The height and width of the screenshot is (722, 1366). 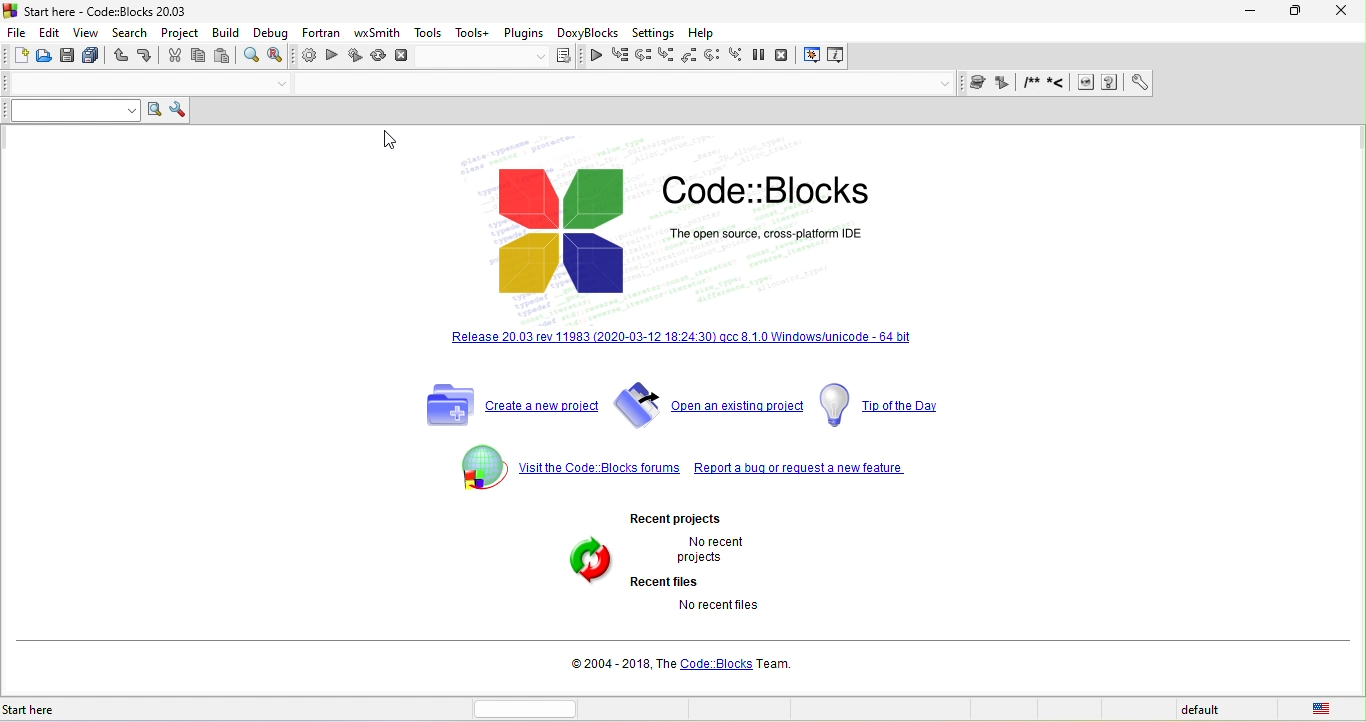 I want to click on no recent projects, so click(x=706, y=551).